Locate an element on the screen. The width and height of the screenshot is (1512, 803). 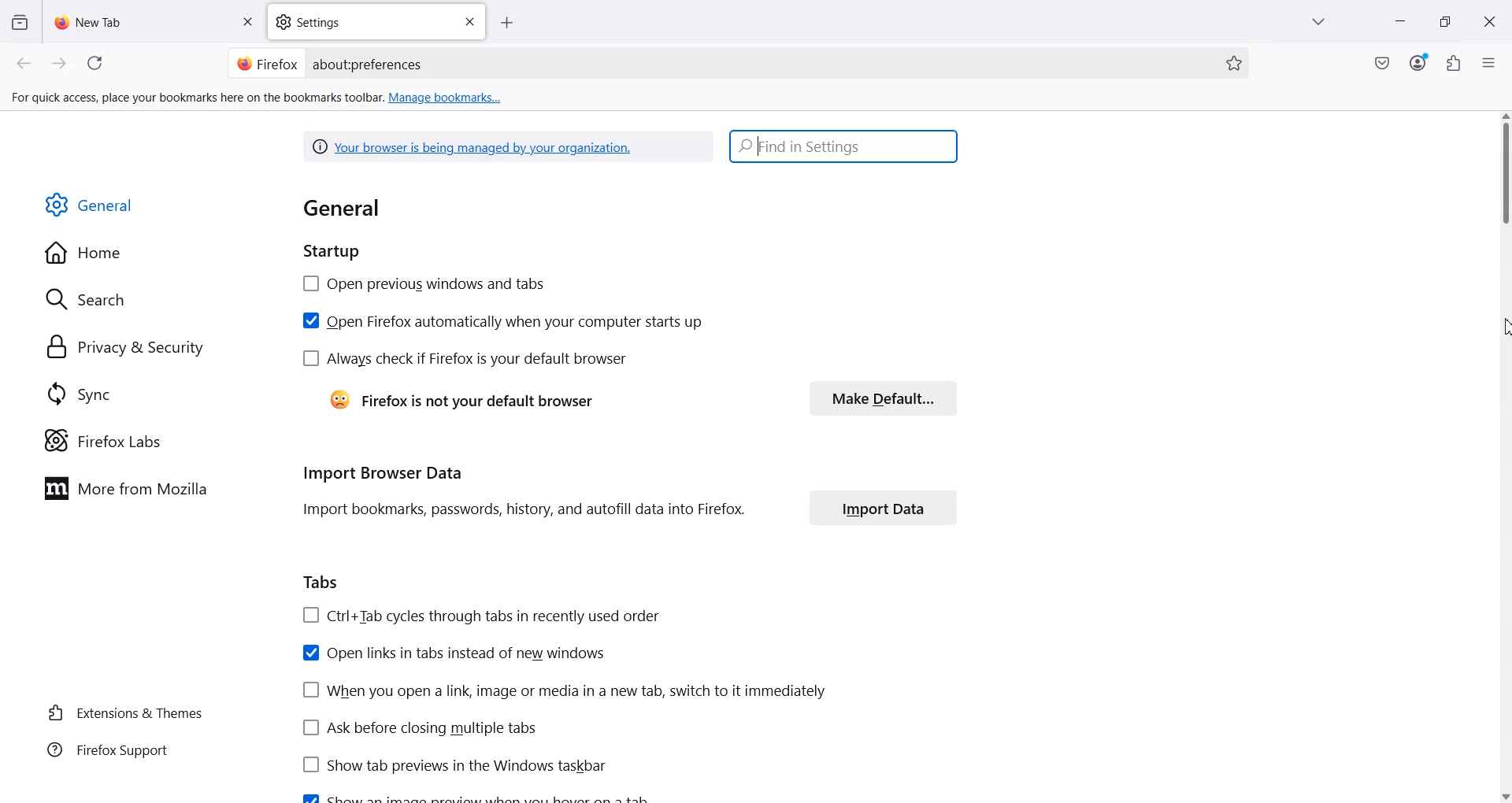
89 Extensions & Themes is located at coordinates (124, 712).